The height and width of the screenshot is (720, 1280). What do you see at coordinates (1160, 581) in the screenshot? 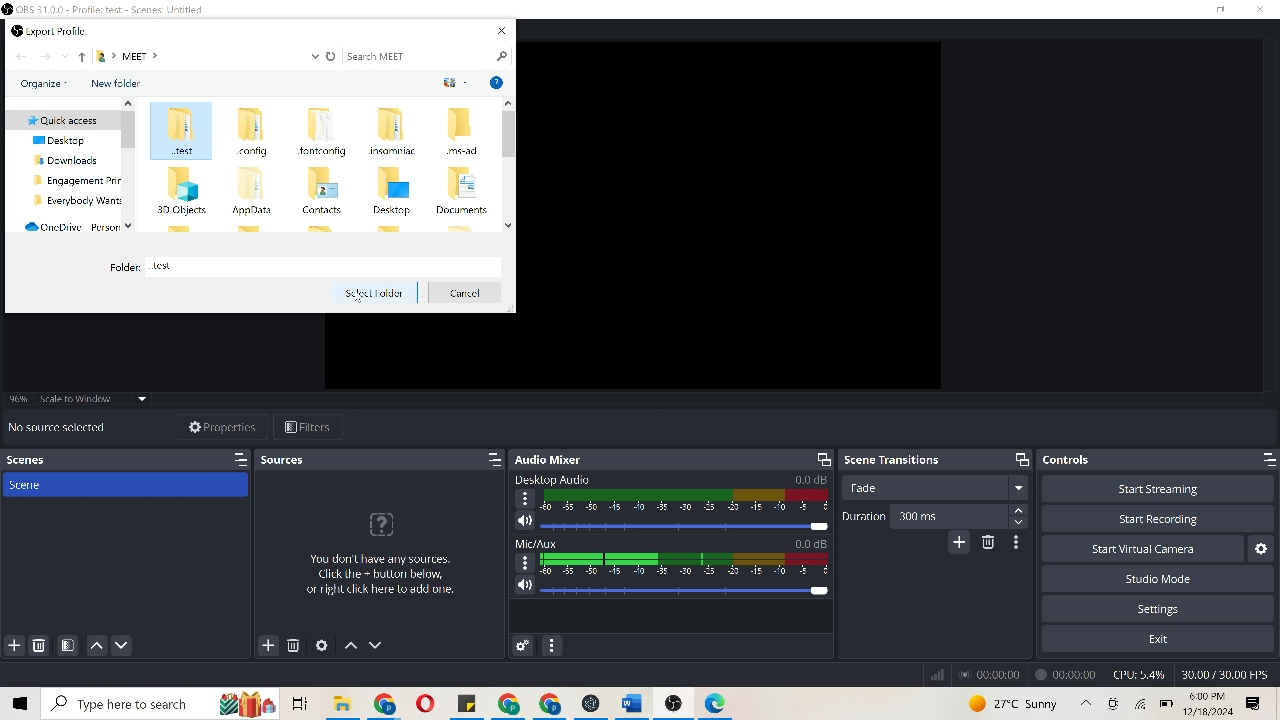
I see `studio mode` at bounding box center [1160, 581].